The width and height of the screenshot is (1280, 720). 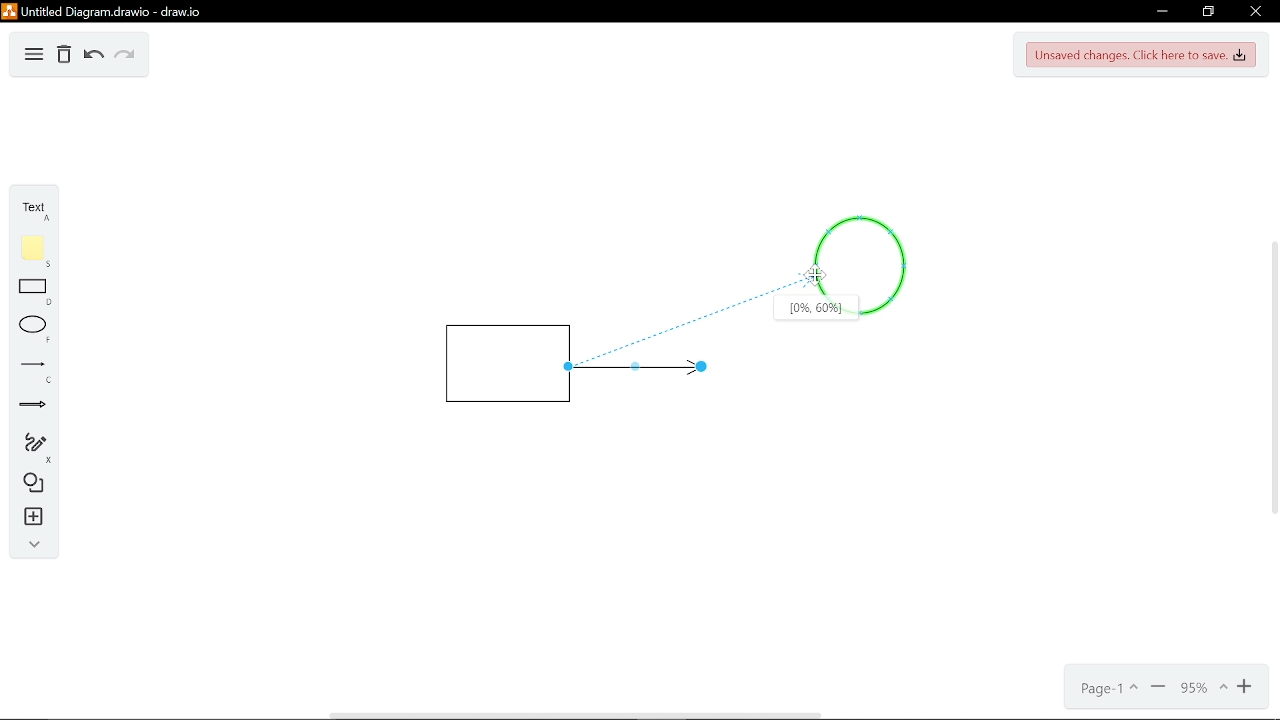 What do you see at coordinates (498, 363) in the screenshot?
I see `Rectangle` at bounding box center [498, 363].